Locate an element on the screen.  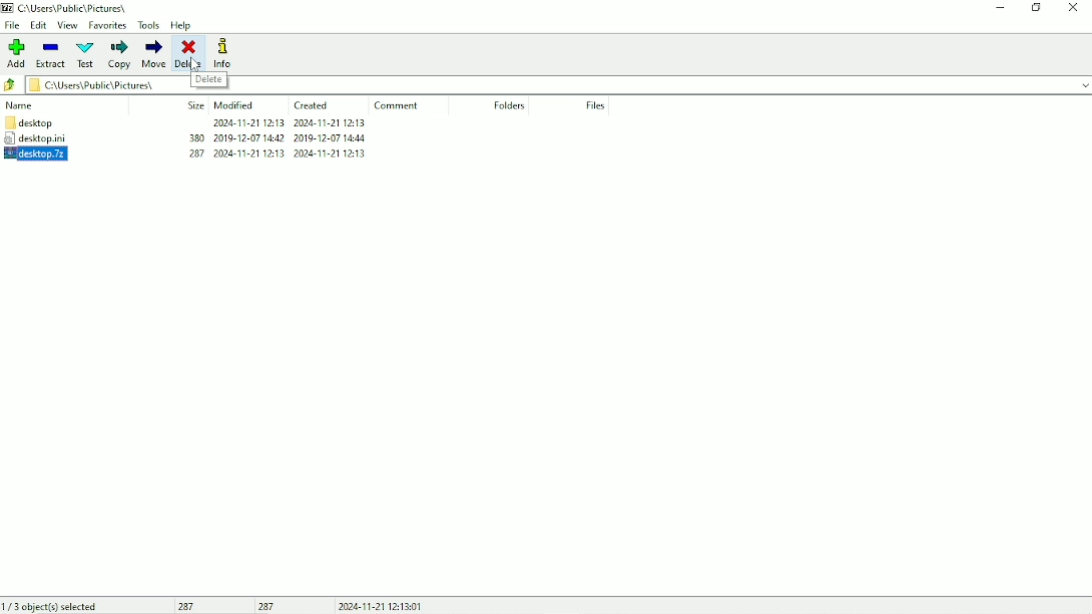
Date and Time is located at coordinates (383, 606).